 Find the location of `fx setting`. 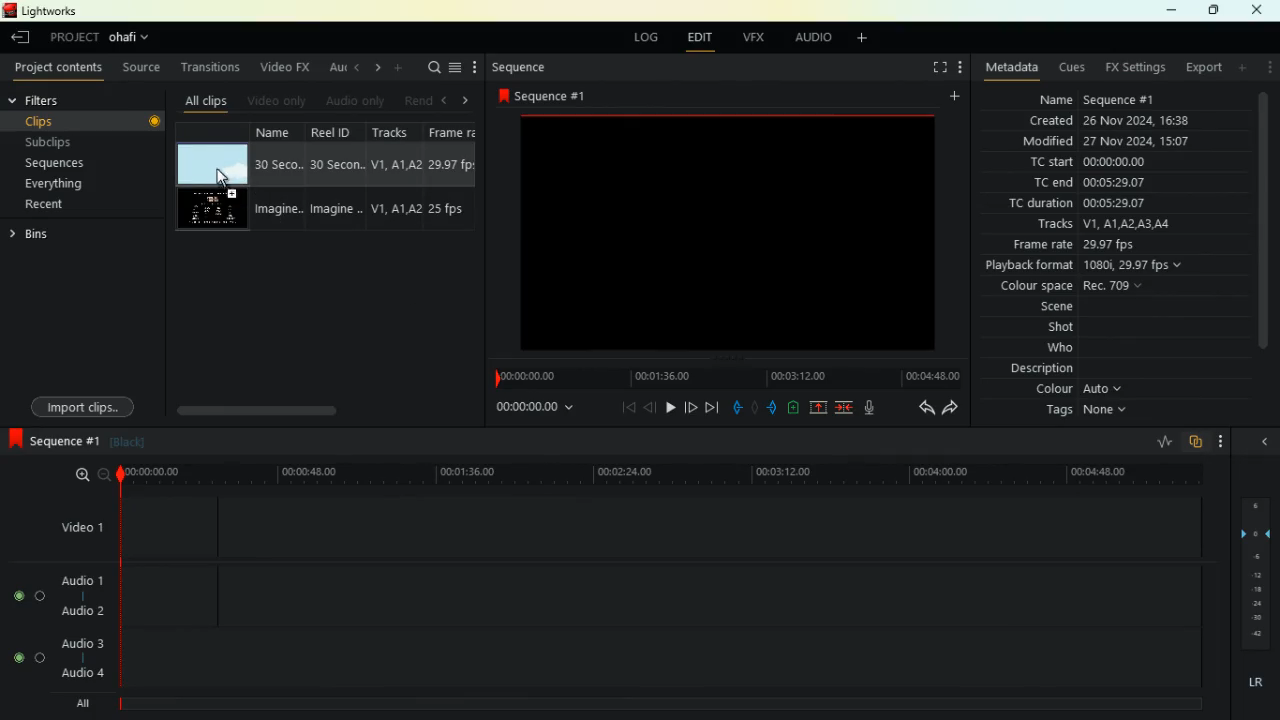

fx setting is located at coordinates (1139, 70).